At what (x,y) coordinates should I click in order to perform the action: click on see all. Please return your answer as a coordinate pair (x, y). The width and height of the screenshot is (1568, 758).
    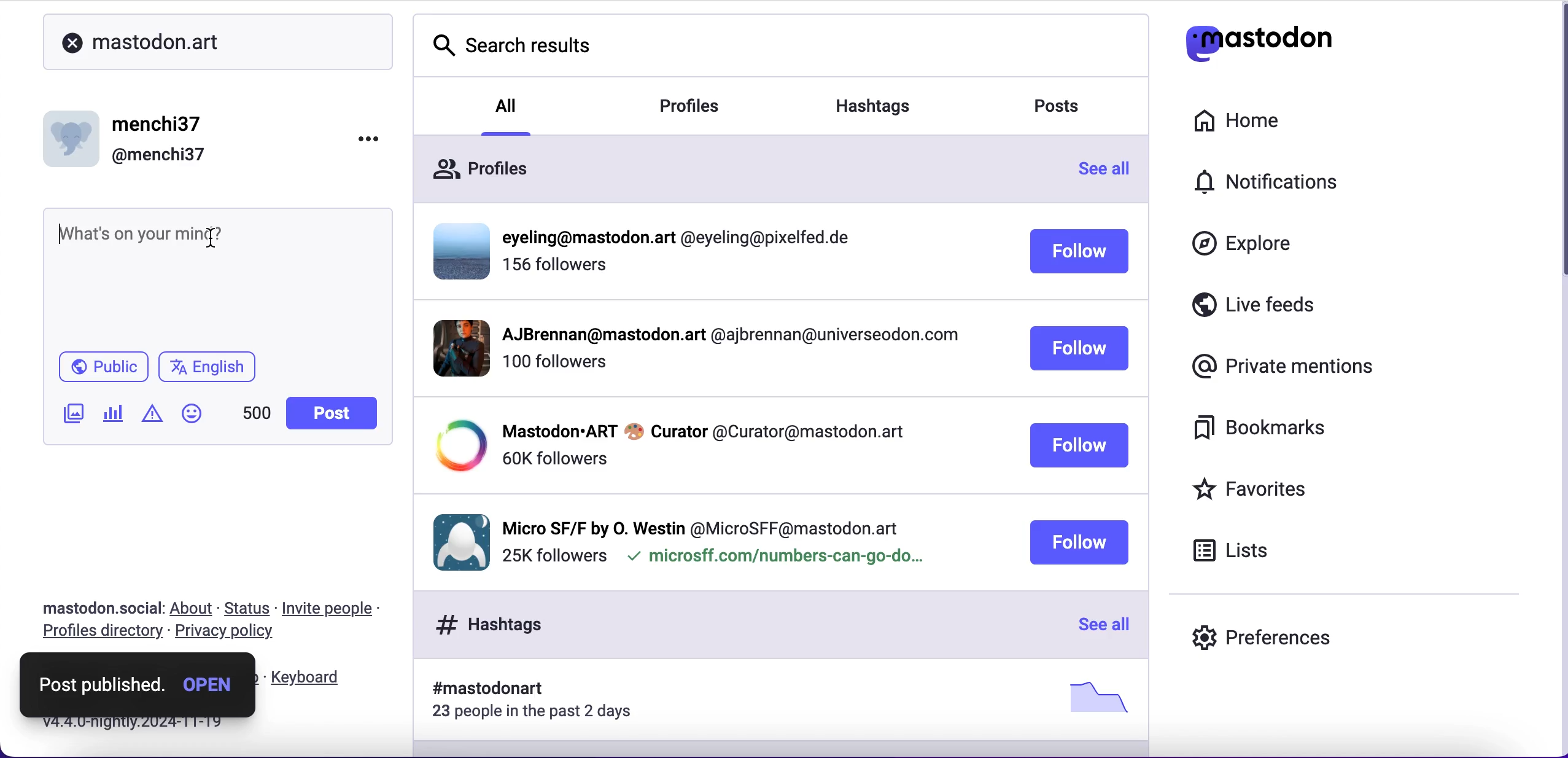
    Looking at the image, I should click on (1101, 626).